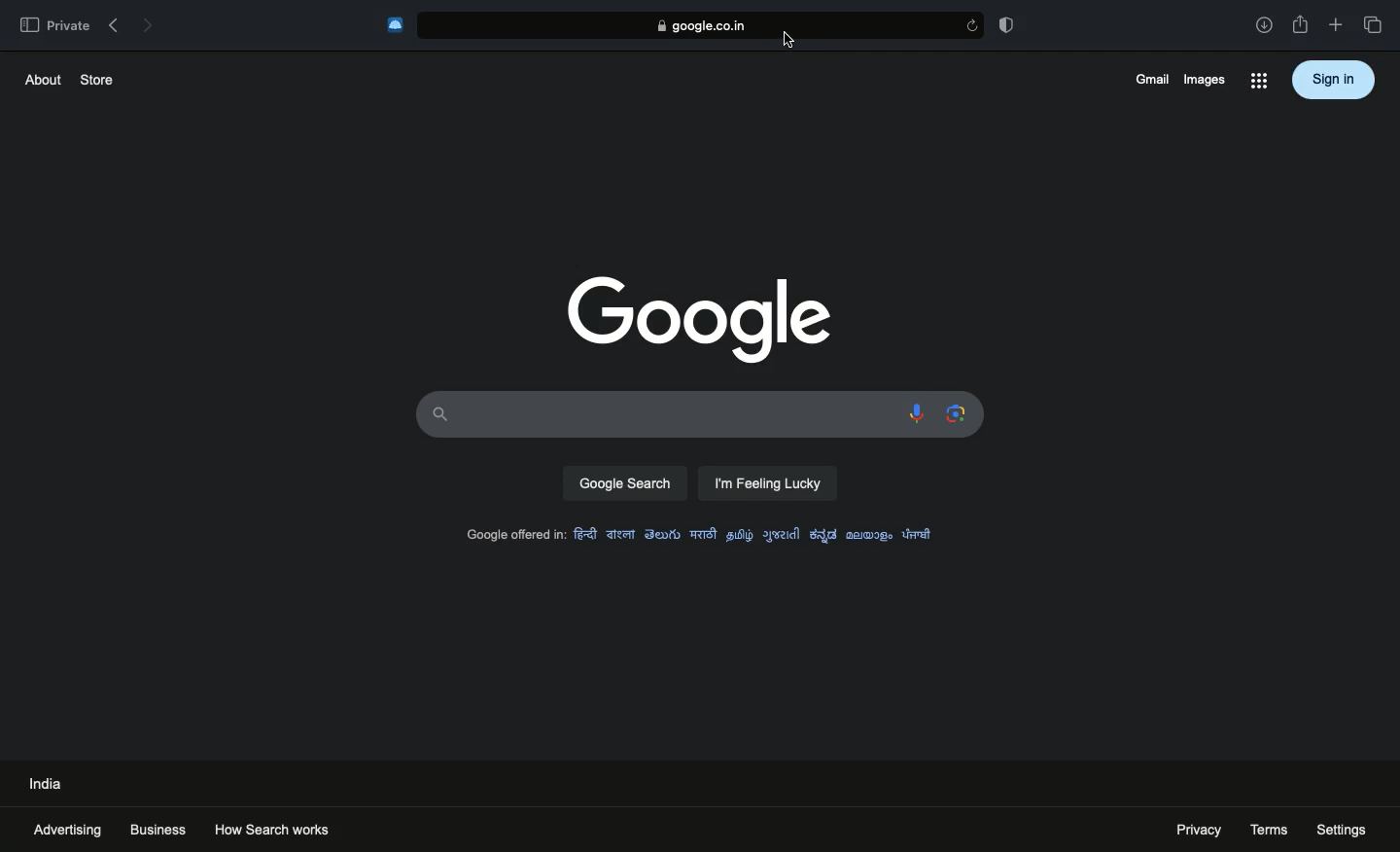  I want to click on search bar, so click(713, 24).